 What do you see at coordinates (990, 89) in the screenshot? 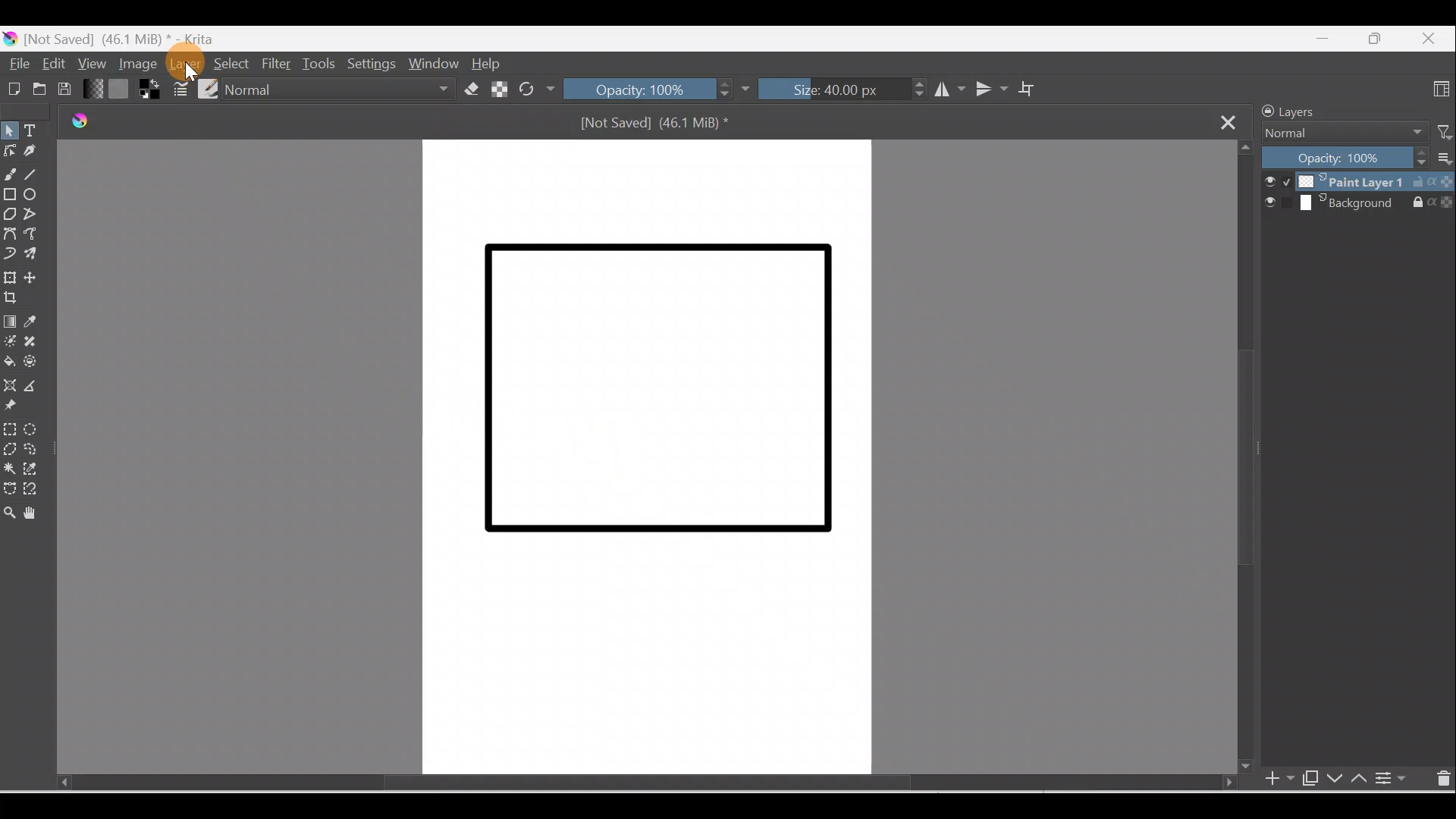
I see `Vertical mirror tool` at bounding box center [990, 89].